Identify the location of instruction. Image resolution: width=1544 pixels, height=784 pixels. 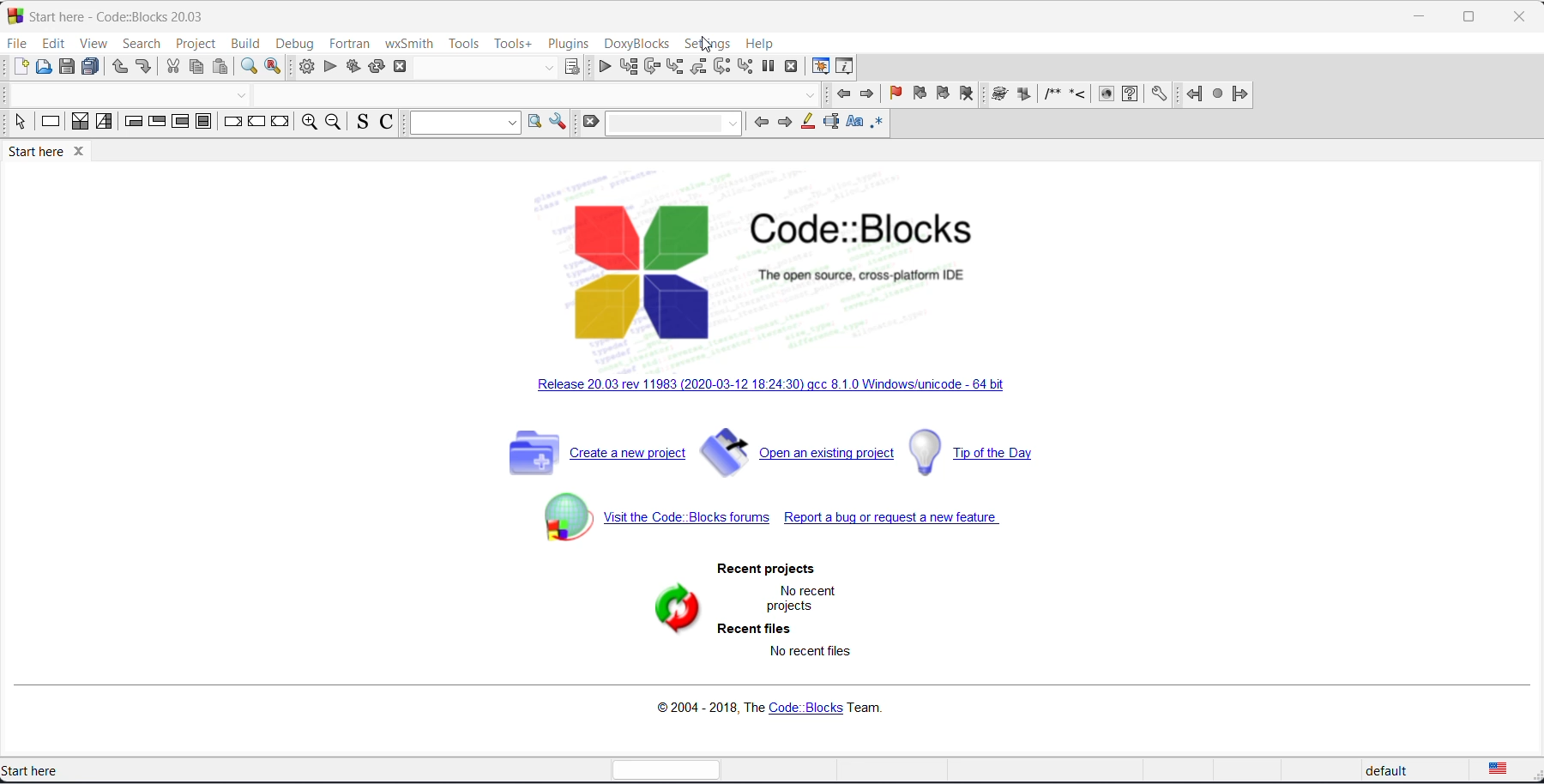
(50, 120).